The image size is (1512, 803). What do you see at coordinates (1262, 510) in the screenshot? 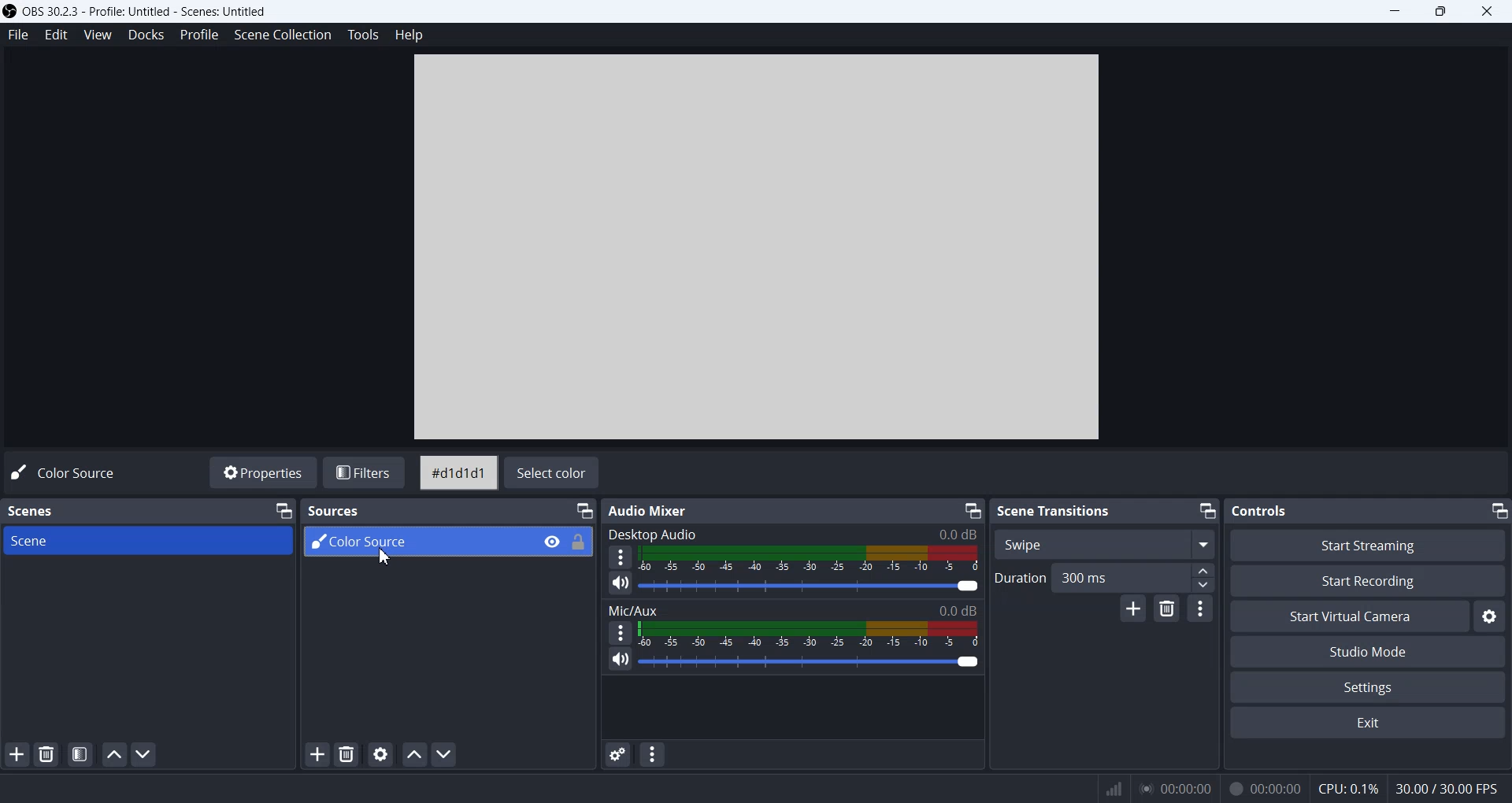
I see `Text` at bounding box center [1262, 510].